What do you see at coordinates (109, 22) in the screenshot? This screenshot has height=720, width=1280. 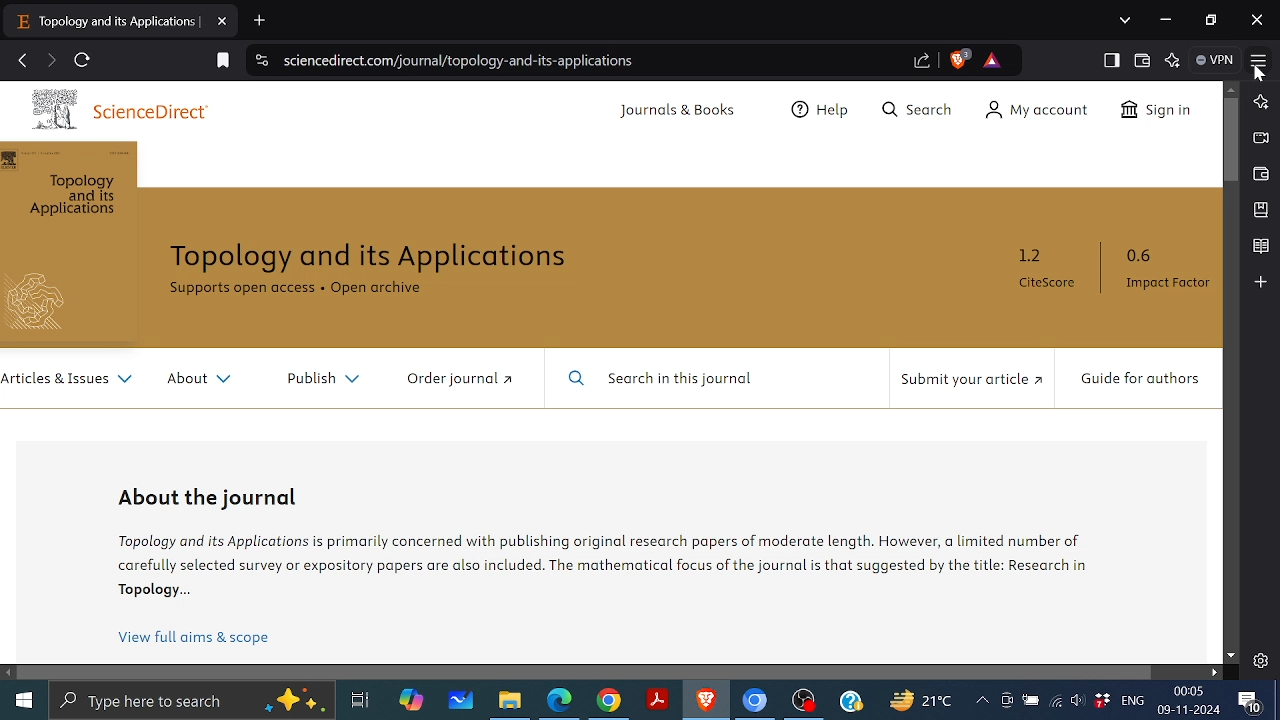 I see `topology and its applications` at bounding box center [109, 22].